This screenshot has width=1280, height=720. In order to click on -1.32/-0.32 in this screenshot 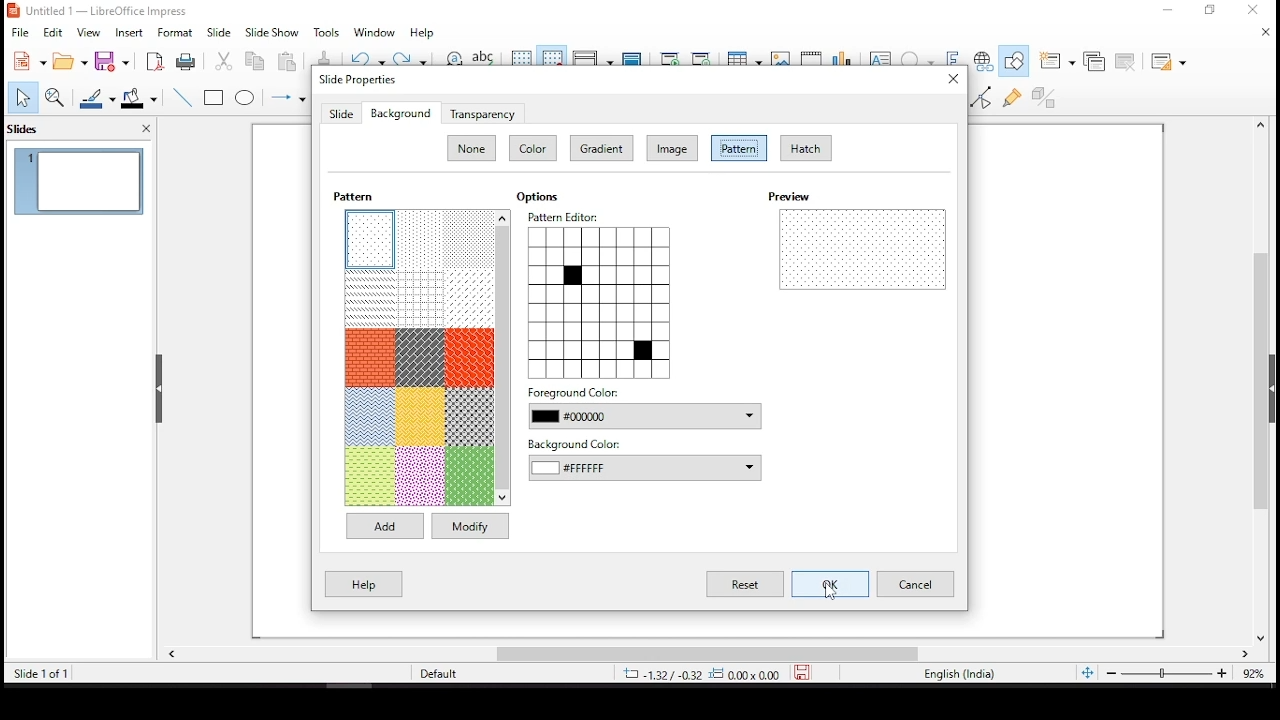, I will do `click(699, 674)`.